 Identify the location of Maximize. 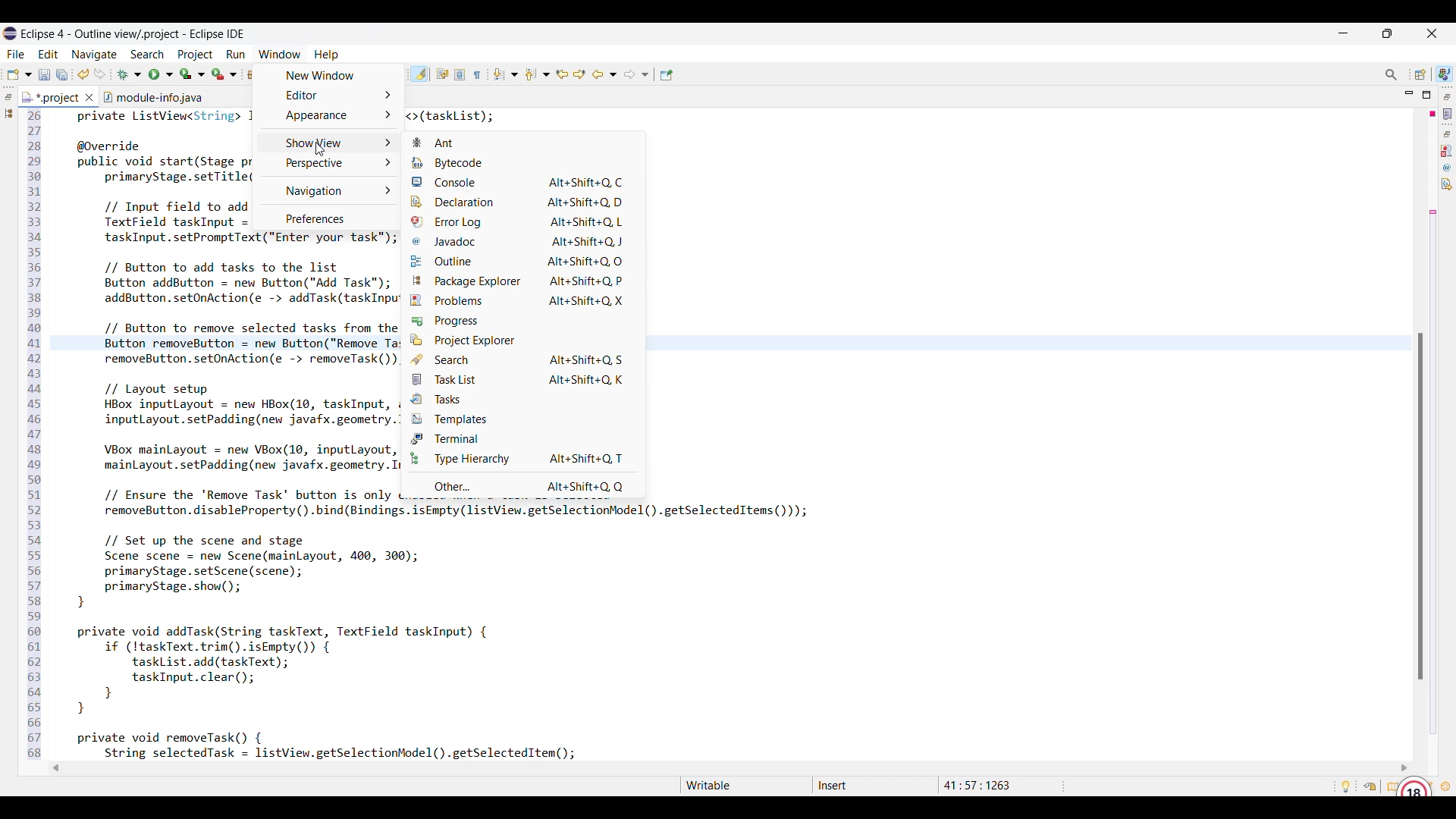
(1426, 95).